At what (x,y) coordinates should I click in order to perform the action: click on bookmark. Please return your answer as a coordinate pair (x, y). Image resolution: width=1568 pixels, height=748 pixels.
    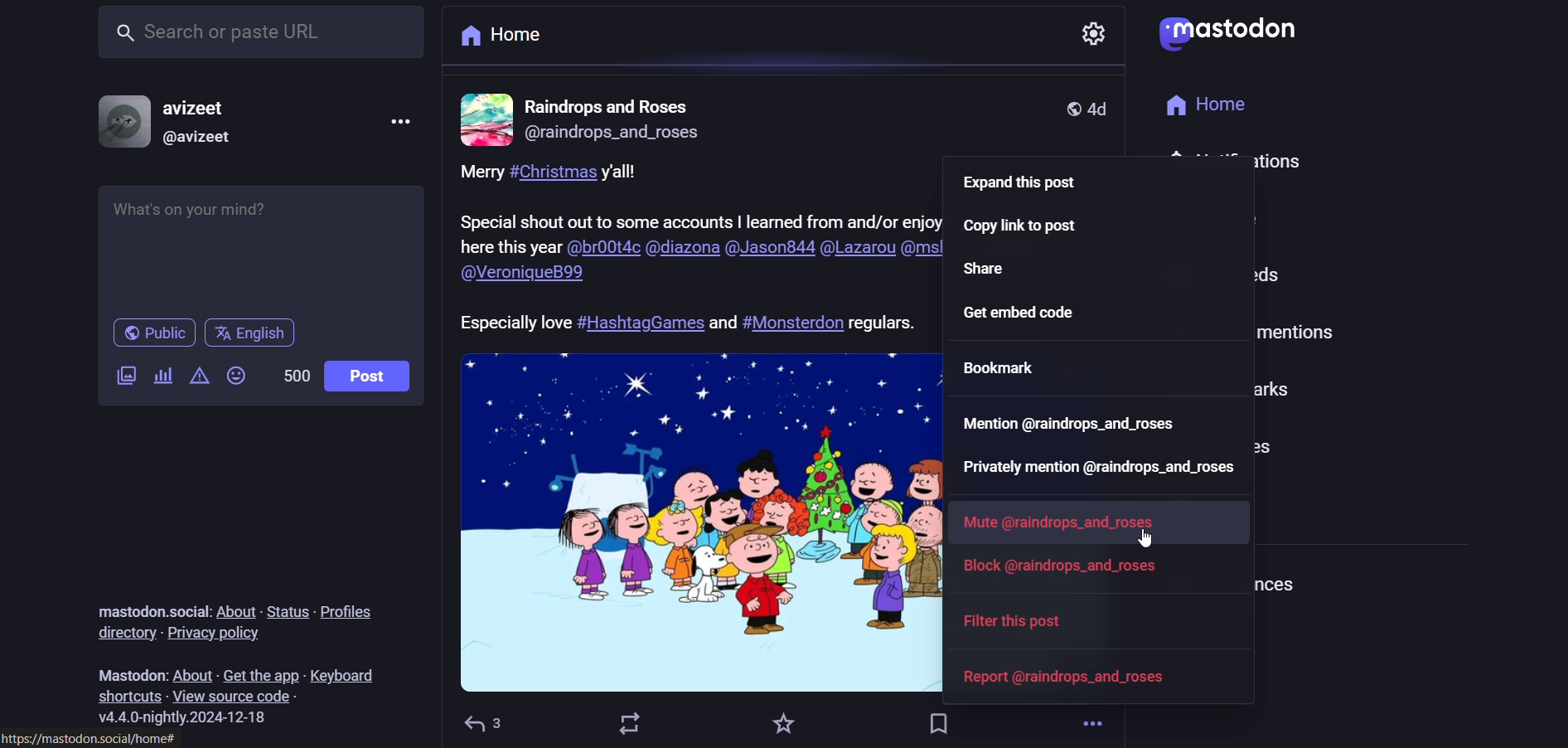
    Looking at the image, I should click on (940, 719).